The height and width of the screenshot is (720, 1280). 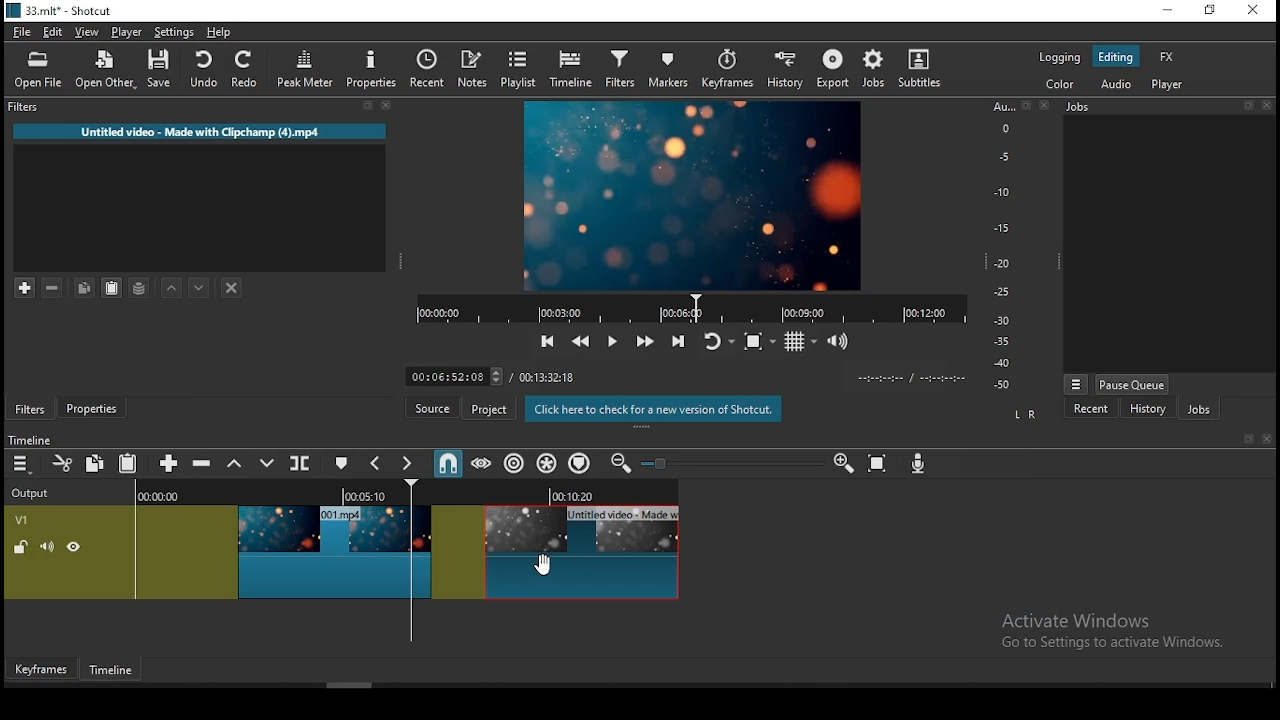 I want to click on timeline, so click(x=568, y=70).